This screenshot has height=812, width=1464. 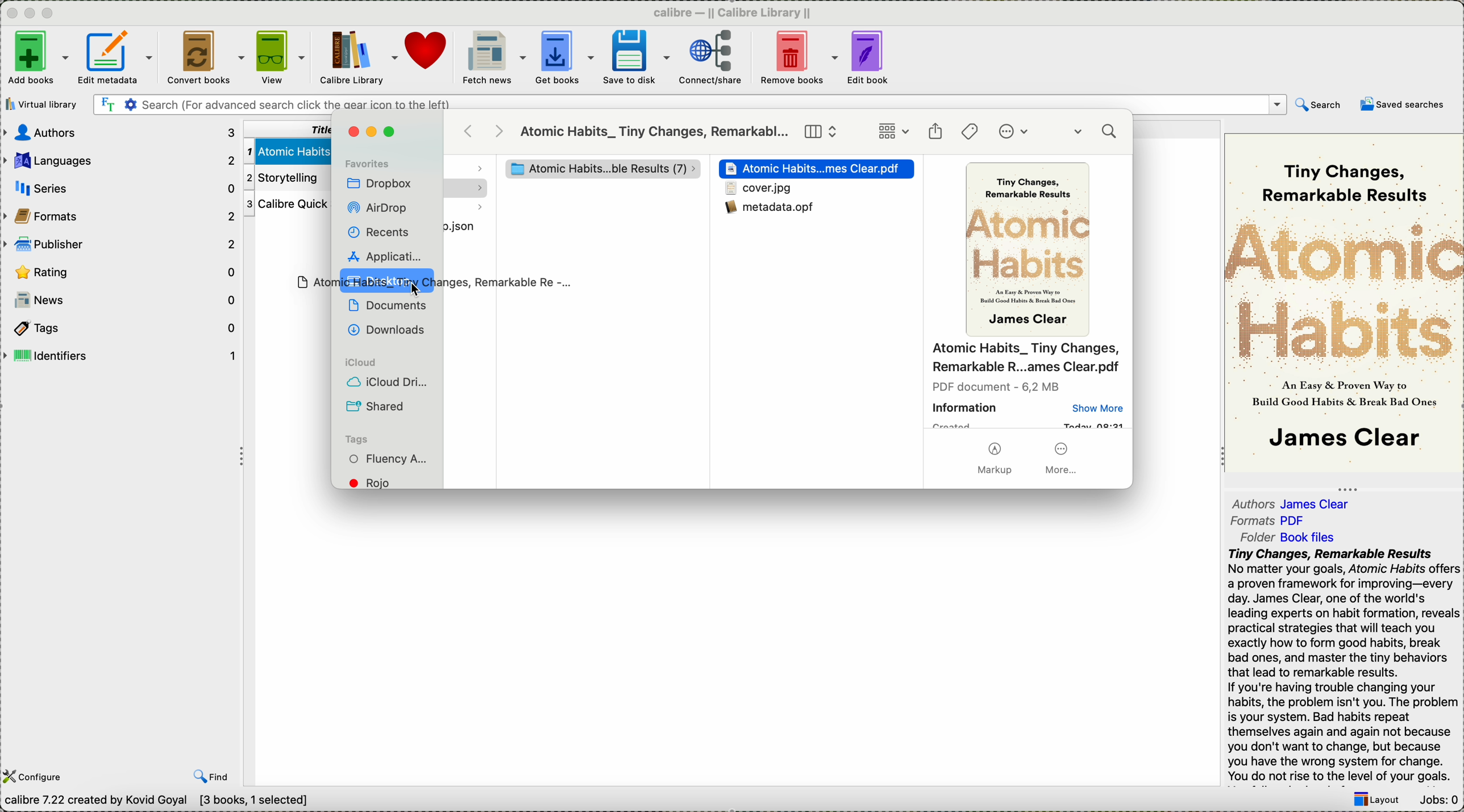 What do you see at coordinates (822, 132) in the screenshot?
I see `column list` at bounding box center [822, 132].